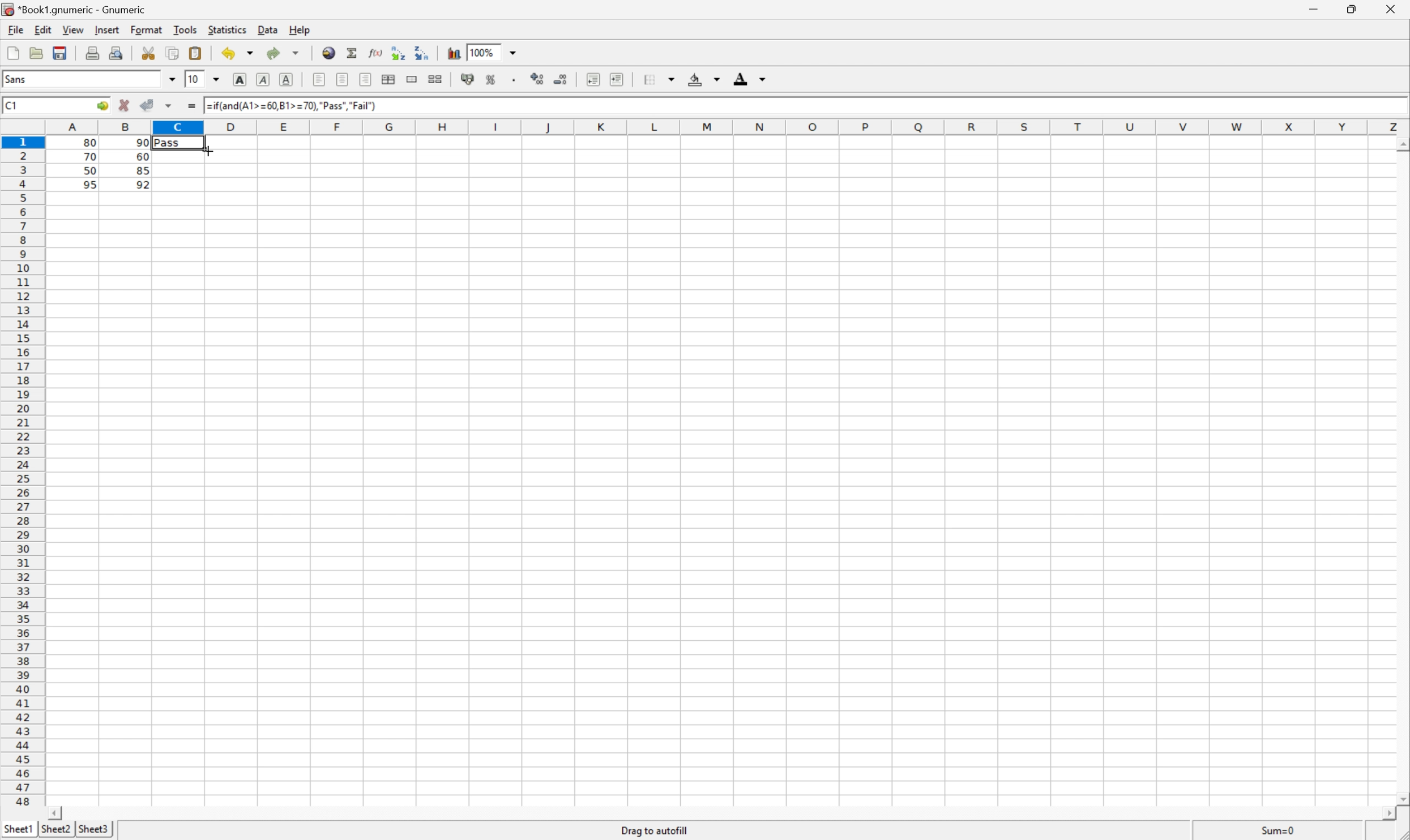 The width and height of the screenshot is (1410, 840). Describe the element at coordinates (59, 809) in the screenshot. I see `Scroll Left` at that location.